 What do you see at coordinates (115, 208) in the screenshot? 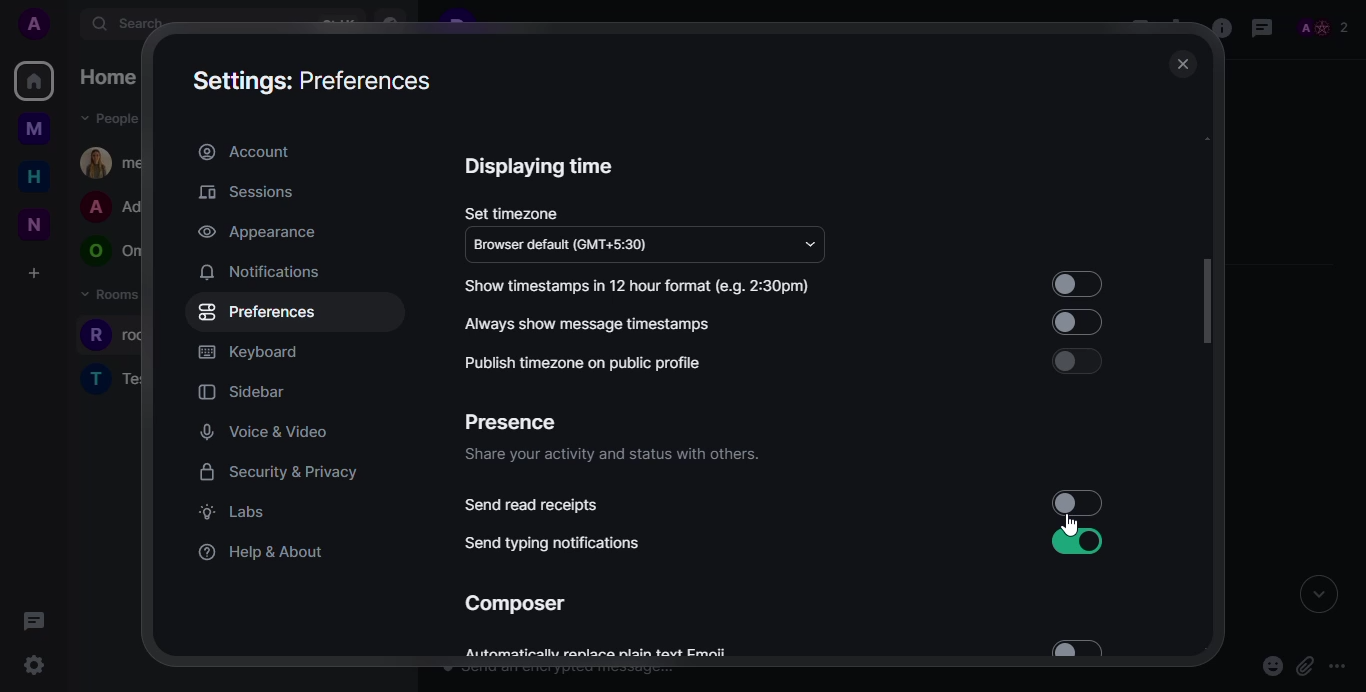
I see `people room` at bounding box center [115, 208].